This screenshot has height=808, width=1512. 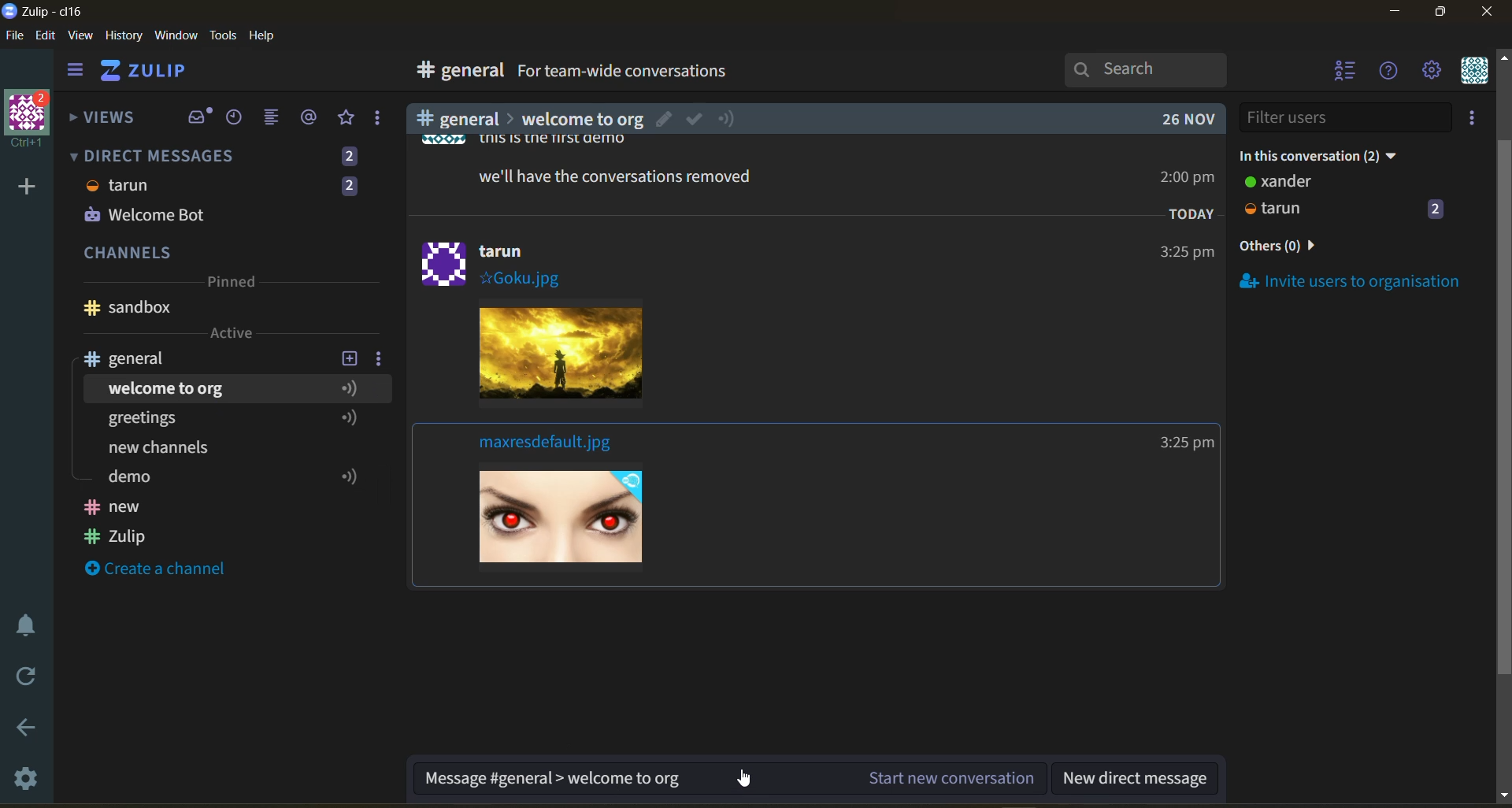 I want to click on reactions and drafts, so click(x=384, y=121).